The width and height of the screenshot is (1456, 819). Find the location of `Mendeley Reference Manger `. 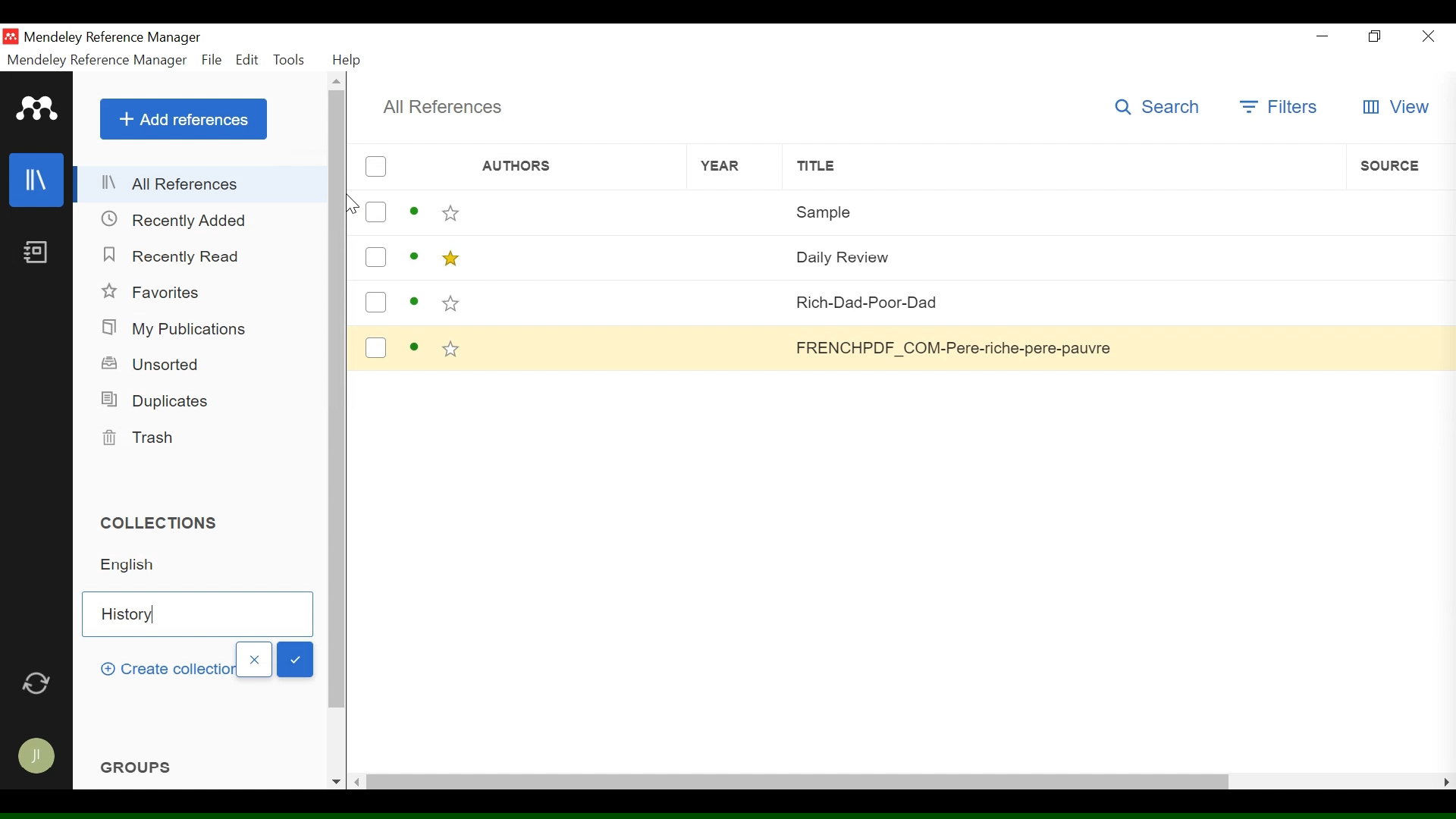

Mendeley Reference Manger  is located at coordinates (97, 61).